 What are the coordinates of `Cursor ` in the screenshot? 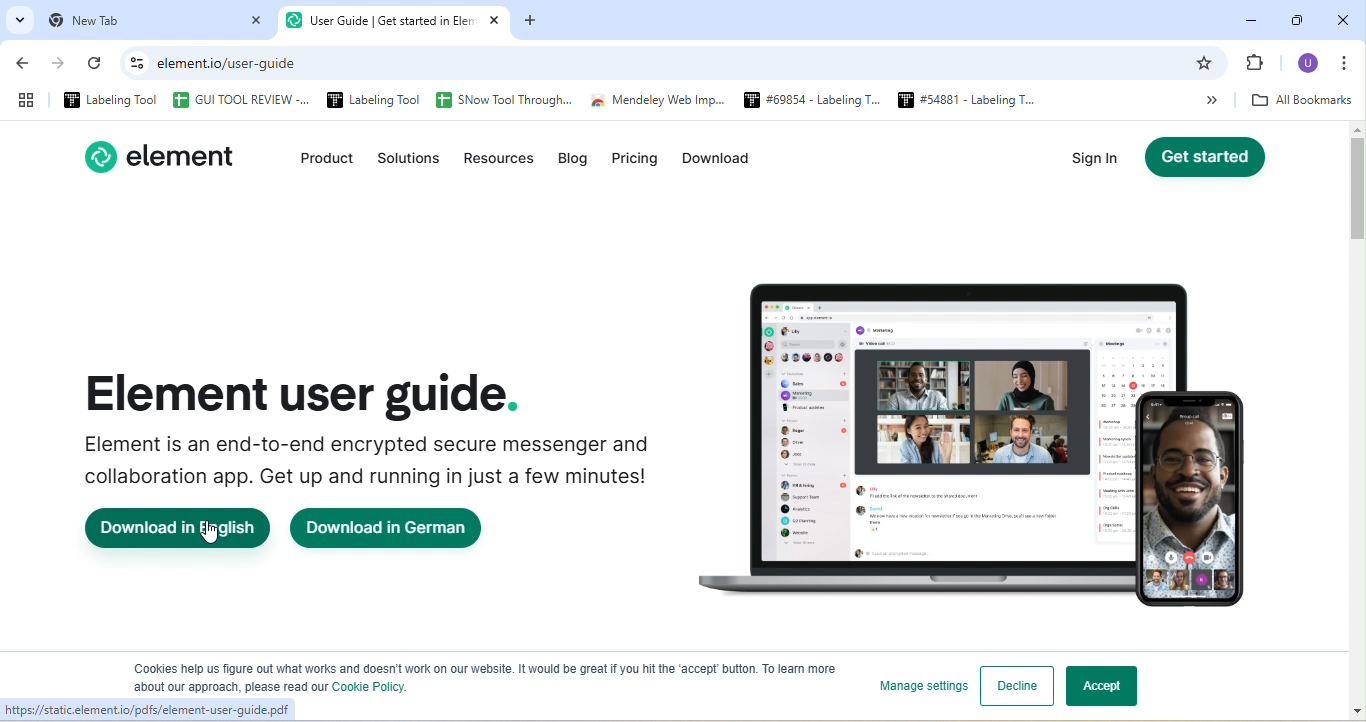 It's located at (208, 534).